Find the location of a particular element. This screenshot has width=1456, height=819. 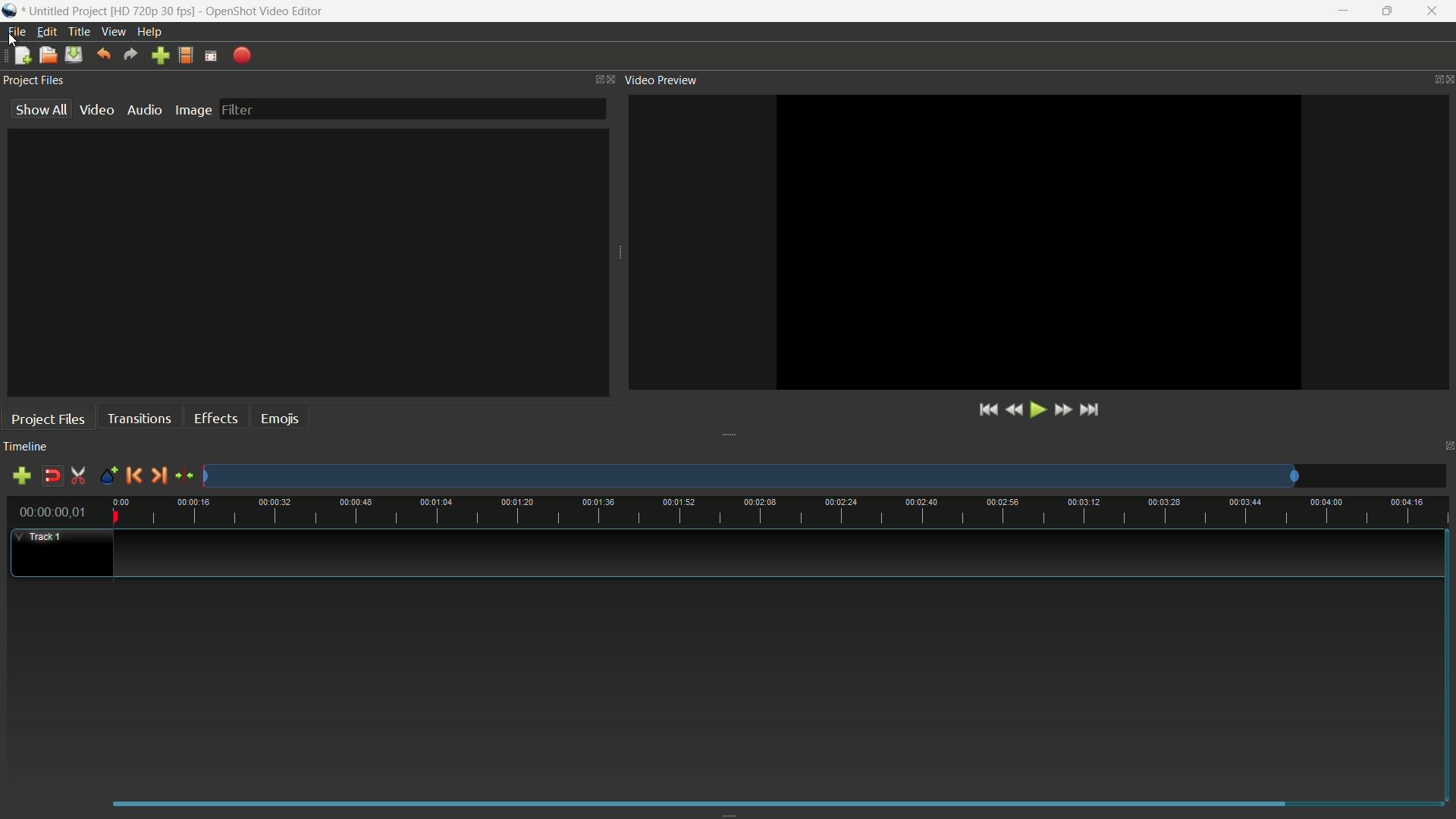

rewind is located at coordinates (1012, 411).